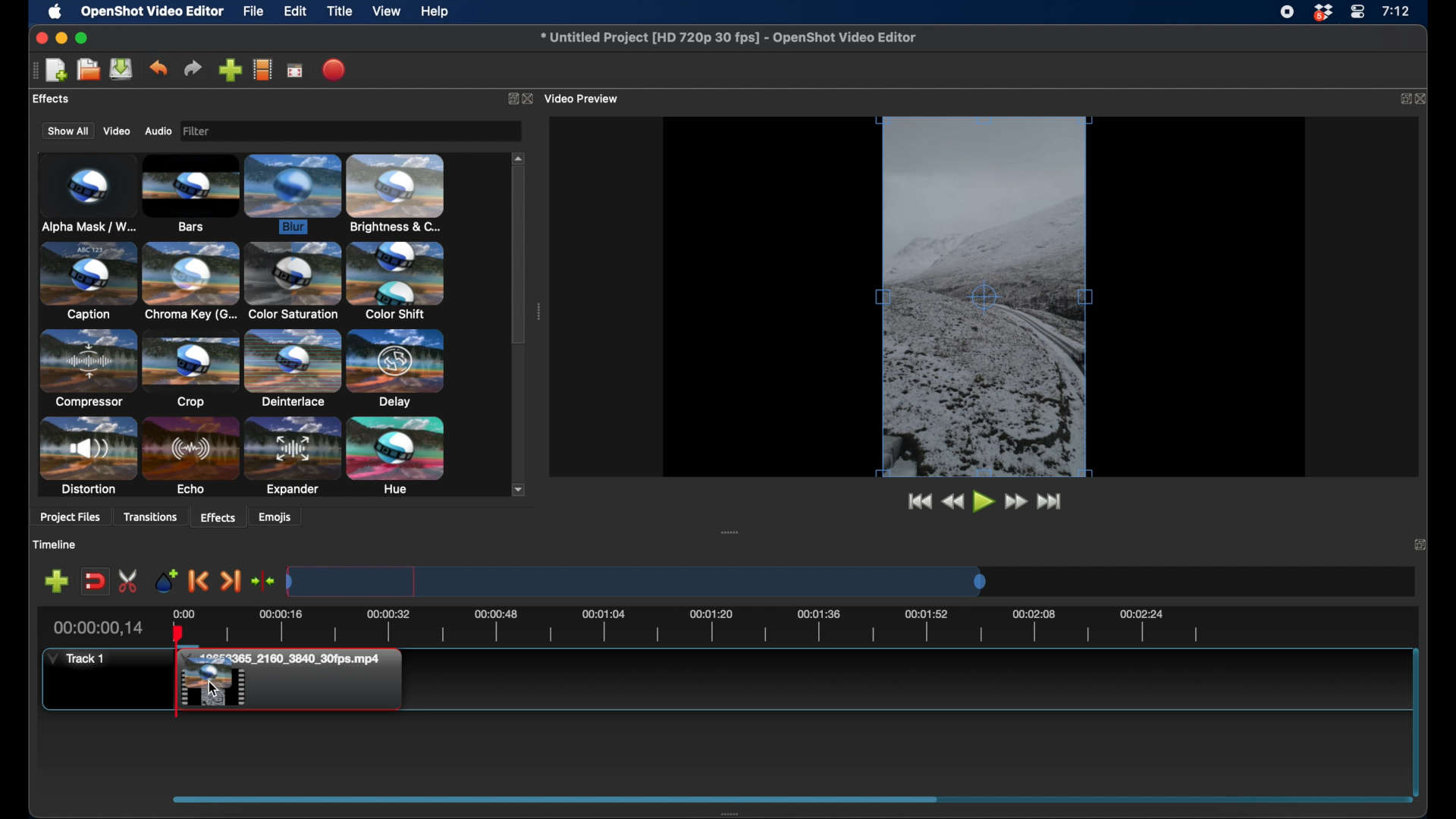 The image size is (1456, 819). I want to click on File added to timeline, so click(318, 681).